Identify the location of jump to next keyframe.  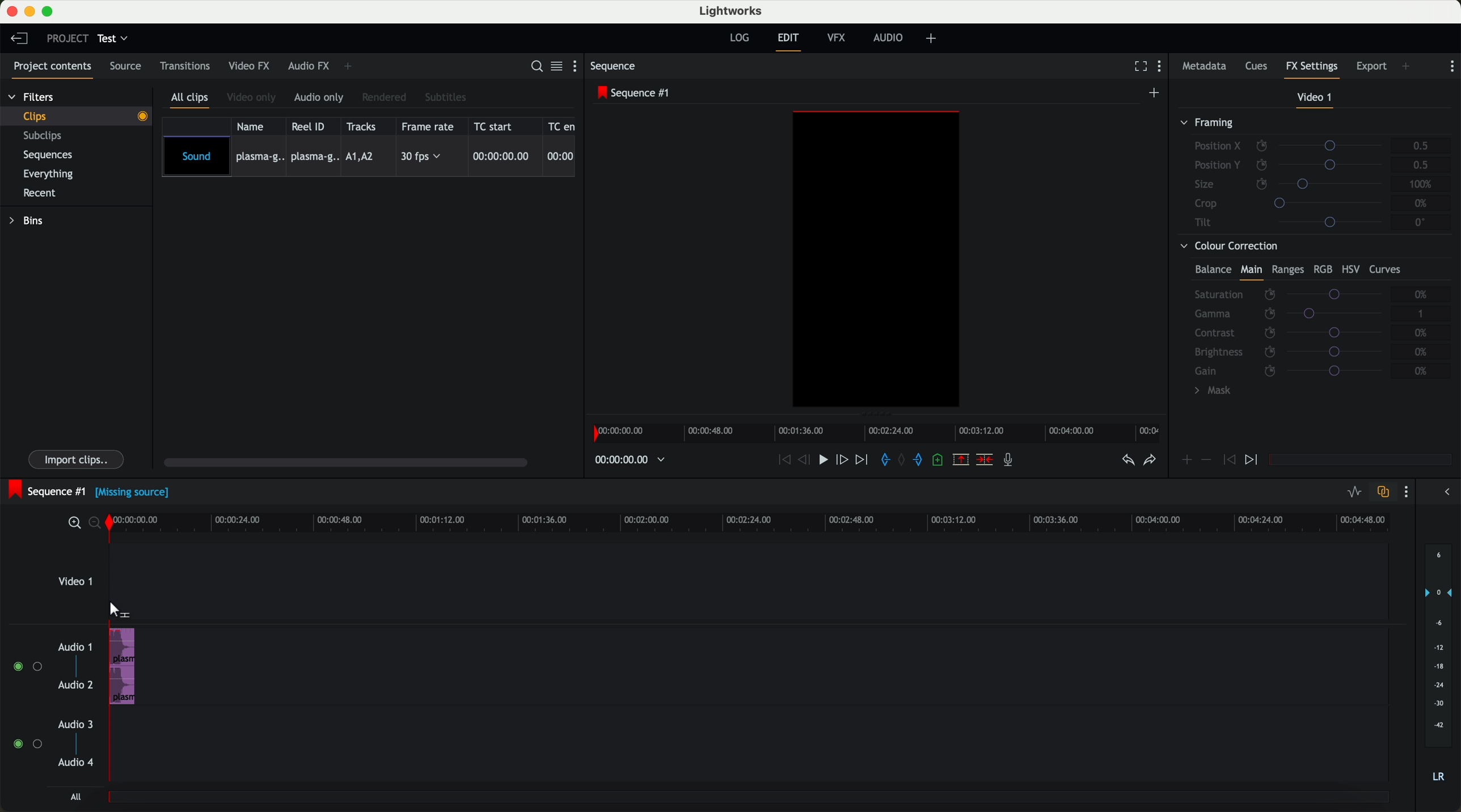
(1253, 460).